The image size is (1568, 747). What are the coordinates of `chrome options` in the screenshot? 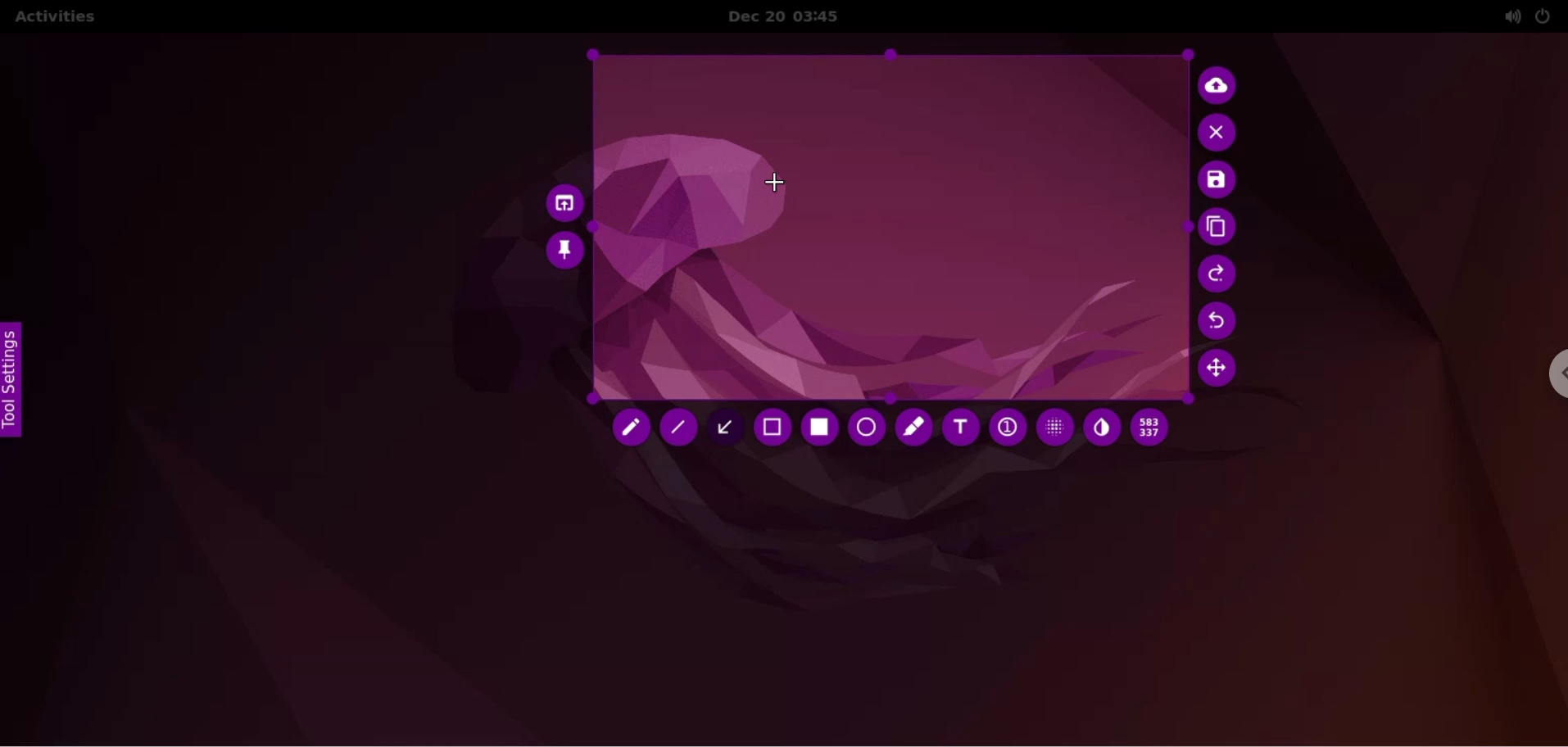 It's located at (1548, 378).